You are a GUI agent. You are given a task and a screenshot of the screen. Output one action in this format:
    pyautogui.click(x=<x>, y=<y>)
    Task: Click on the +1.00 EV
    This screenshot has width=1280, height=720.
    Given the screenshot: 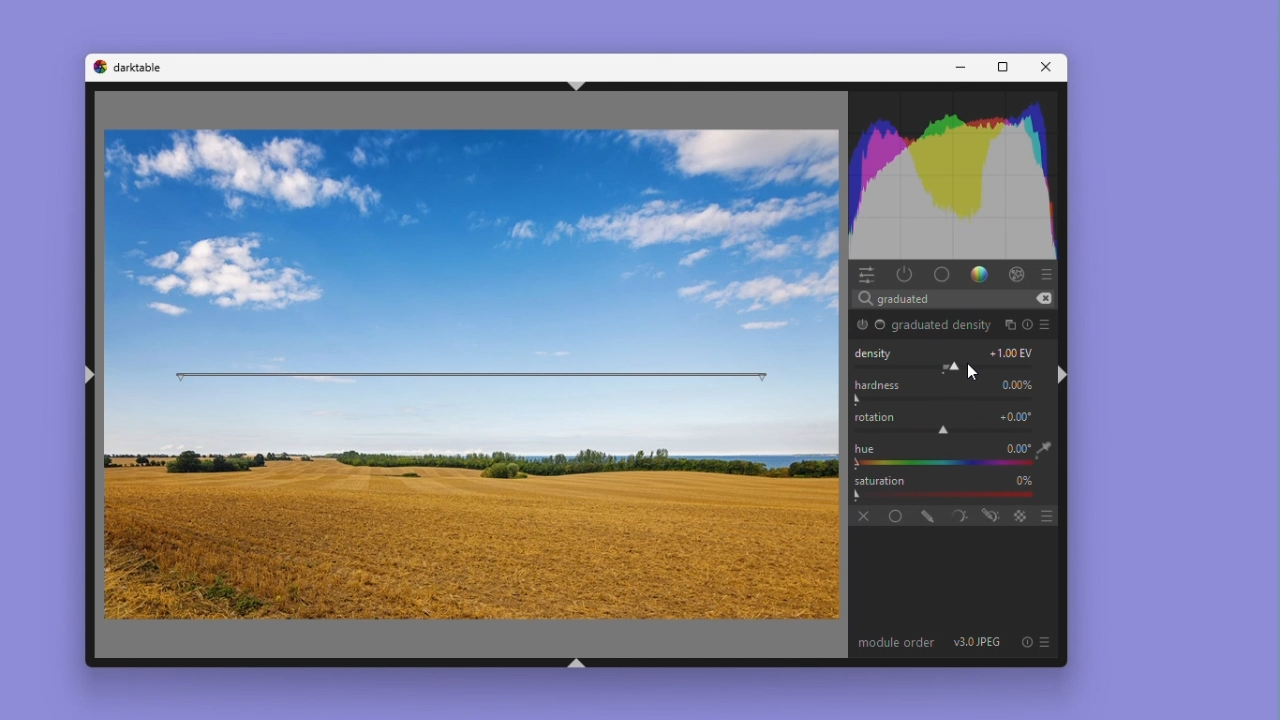 What is the action you would take?
    pyautogui.click(x=1013, y=352)
    